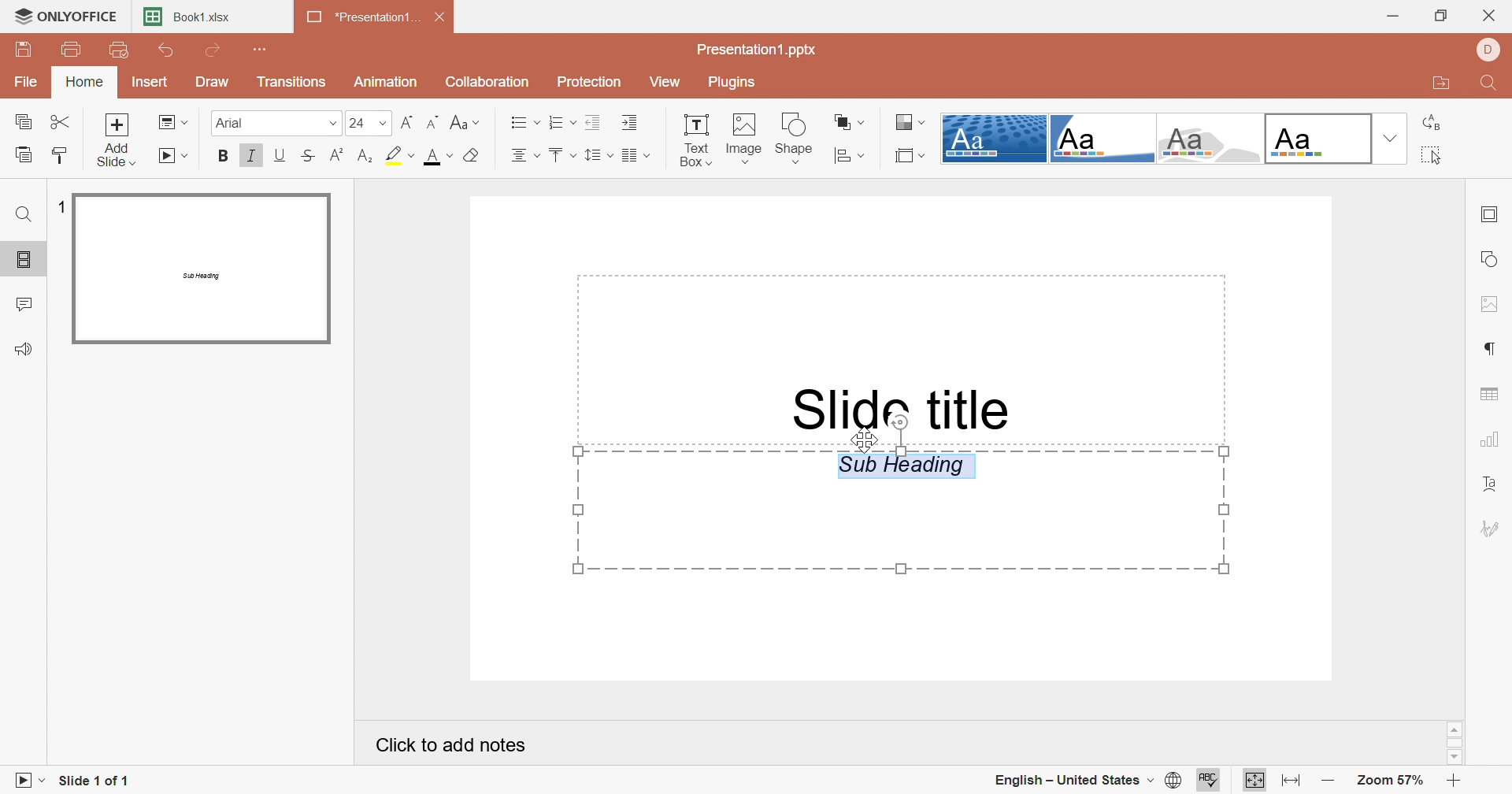  Describe the element at coordinates (910, 156) in the screenshot. I see `Select slide size` at that location.